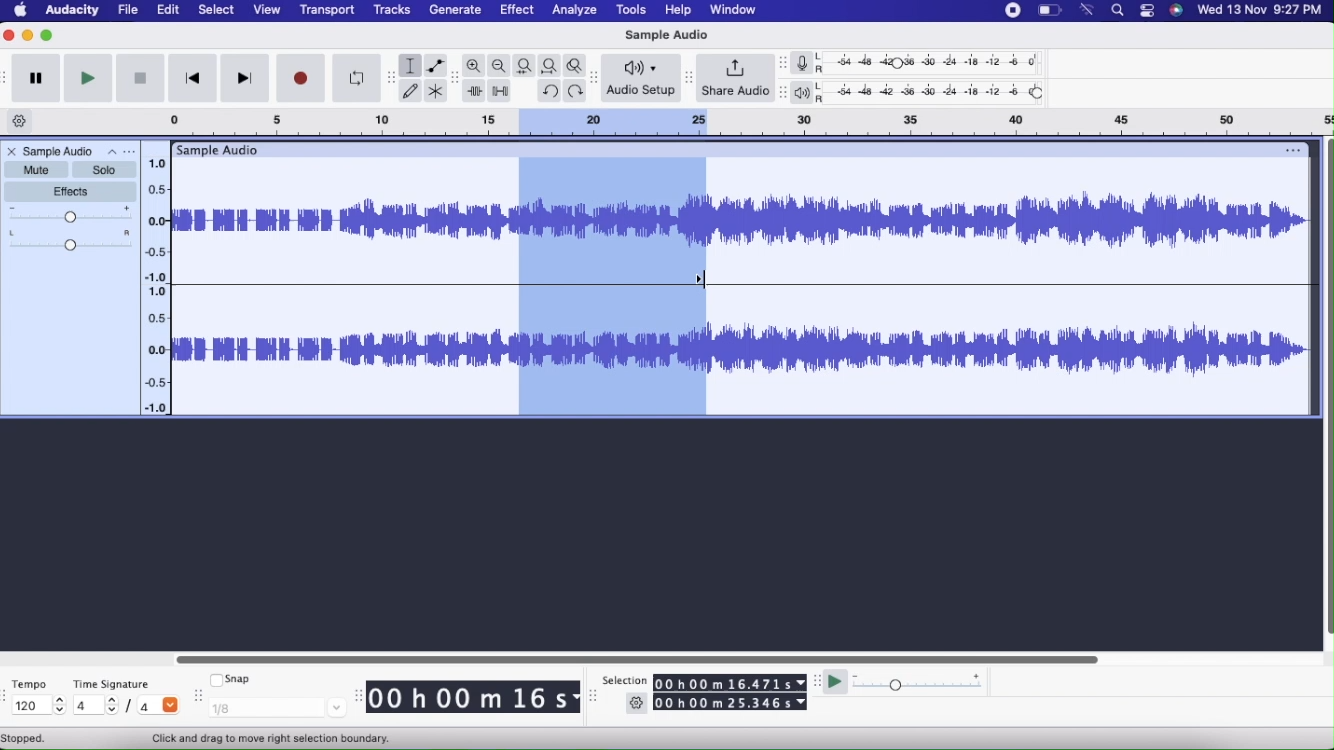 The image size is (1334, 750). I want to click on Window, so click(738, 10).